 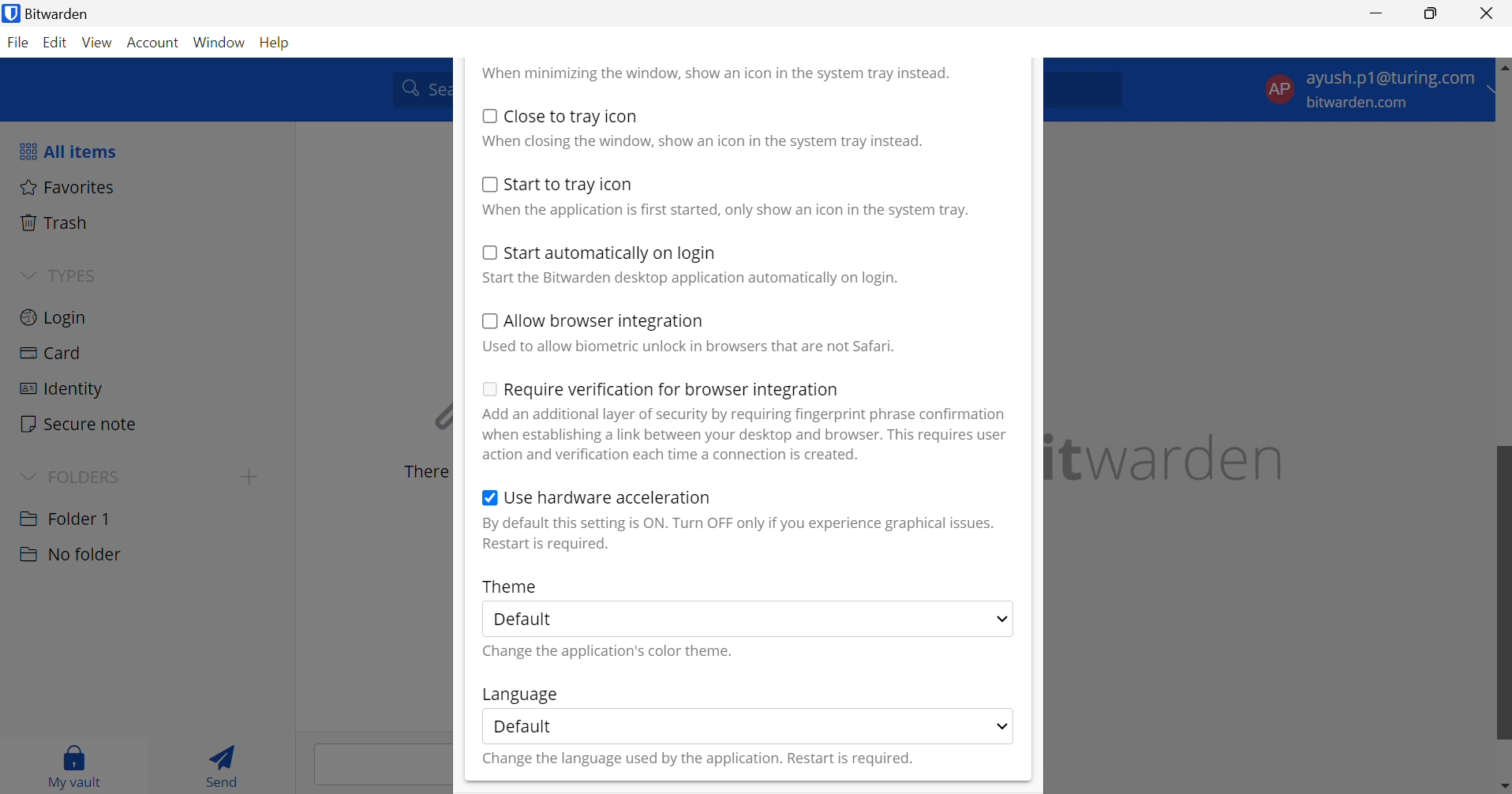 What do you see at coordinates (511, 586) in the screenshot?
I see `Theme` at bounding box center [511, 586].